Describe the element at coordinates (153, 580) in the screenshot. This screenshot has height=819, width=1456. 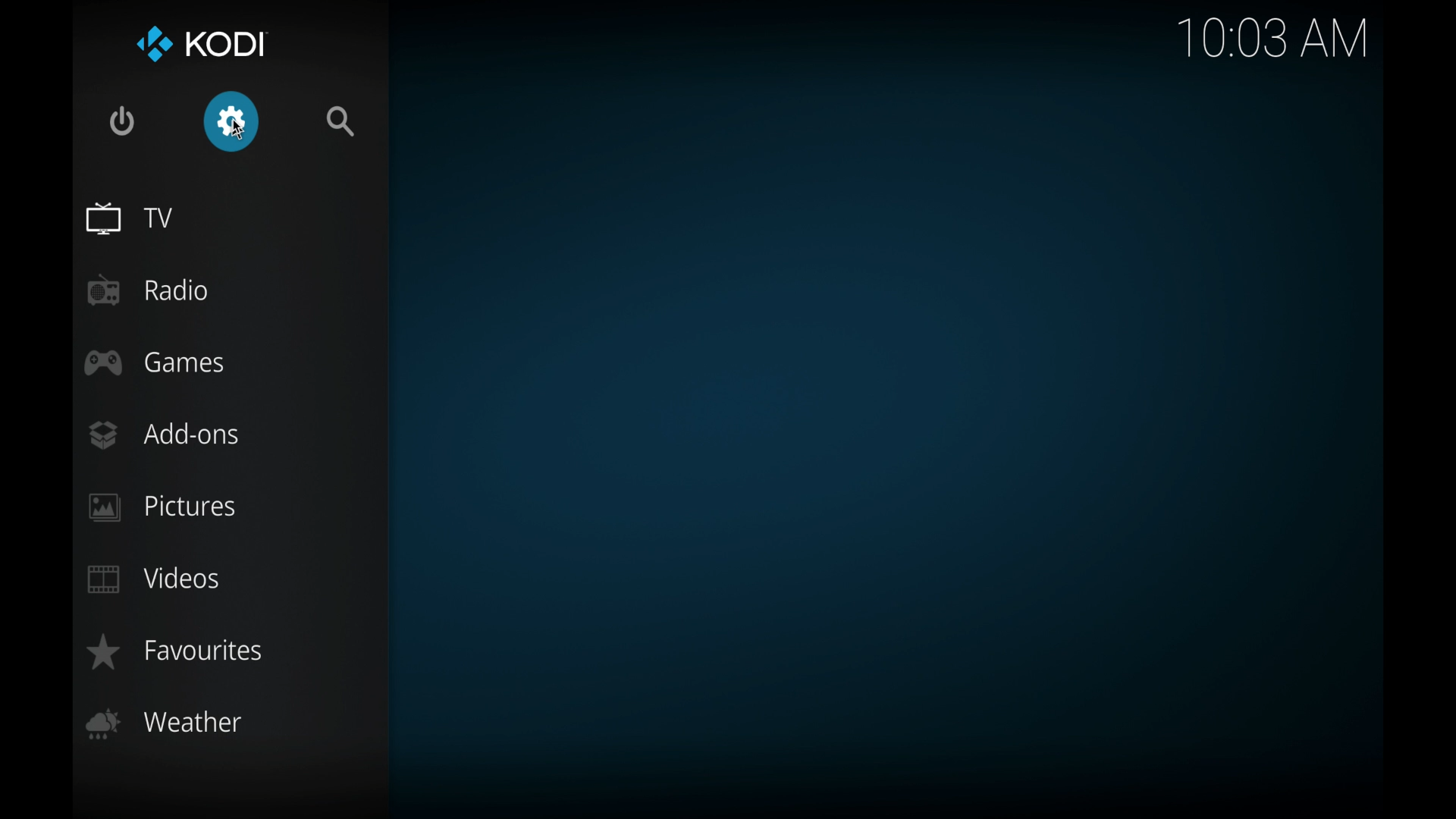
I see `videos` at that location.